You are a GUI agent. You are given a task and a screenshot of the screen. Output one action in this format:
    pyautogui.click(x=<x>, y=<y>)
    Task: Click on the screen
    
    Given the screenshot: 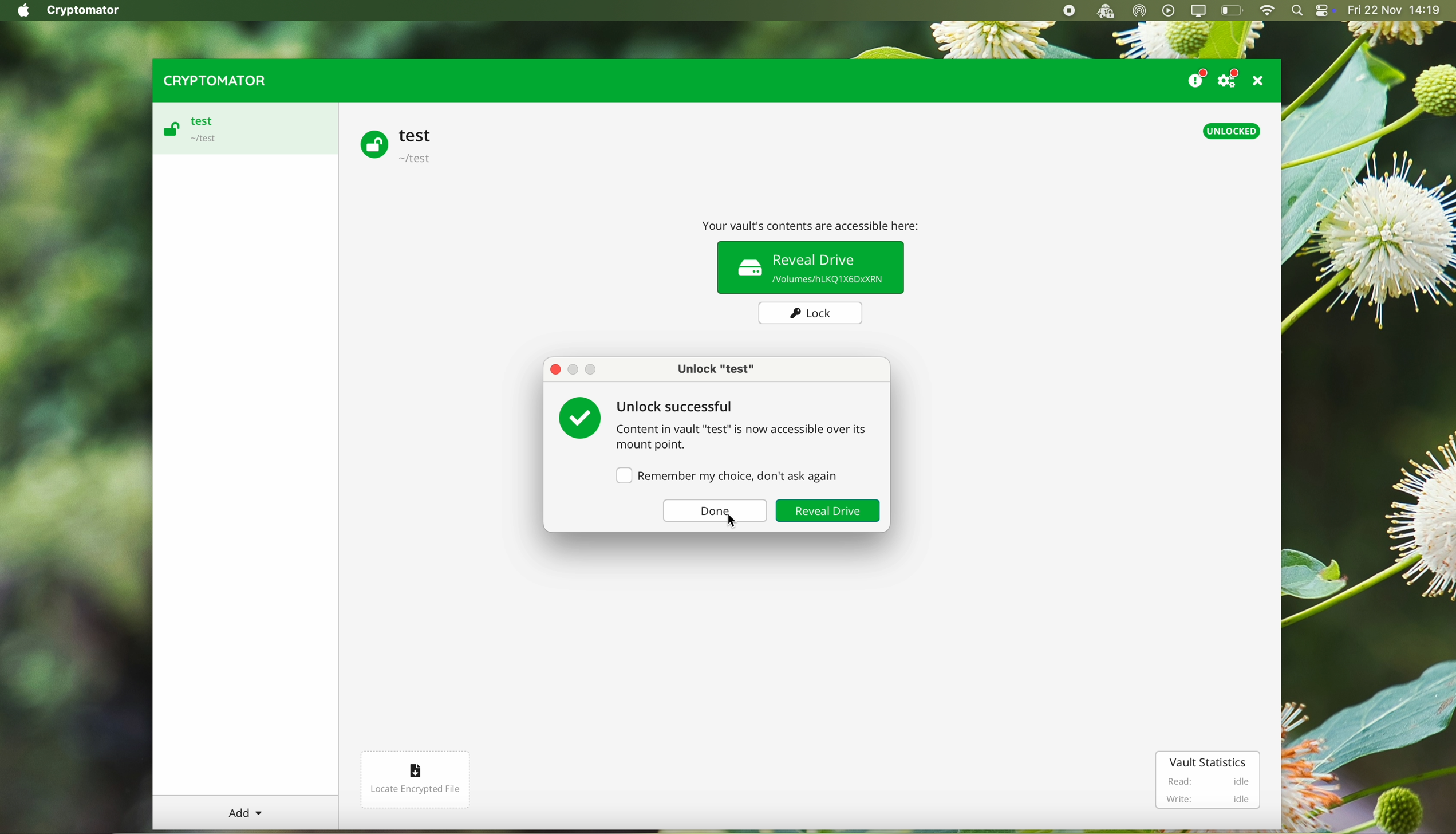 What is the action you would take?
    pyautogui.click(x=1200, y=11)
    